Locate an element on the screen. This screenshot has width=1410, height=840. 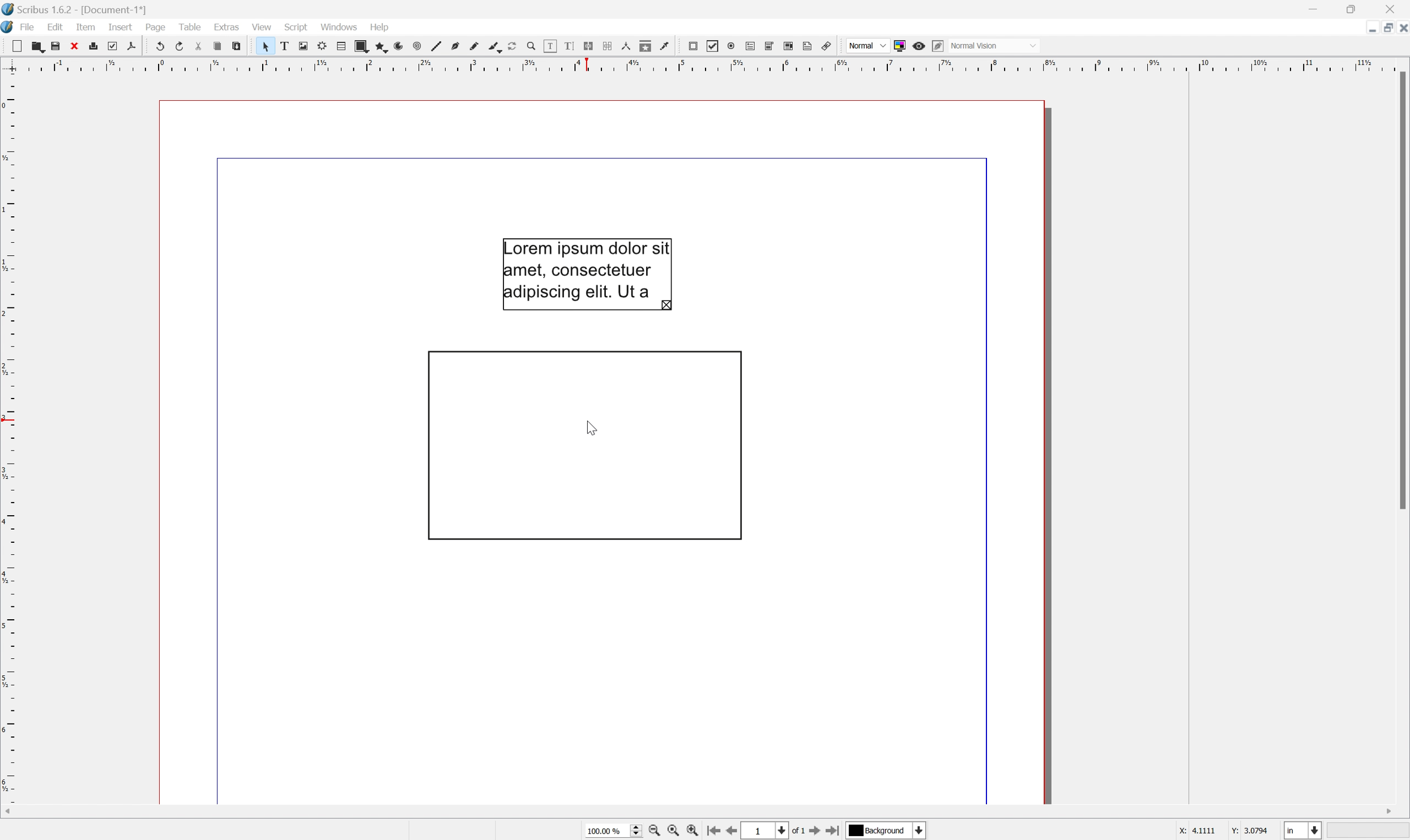
PDF list box is located at coordinates (789, 46).